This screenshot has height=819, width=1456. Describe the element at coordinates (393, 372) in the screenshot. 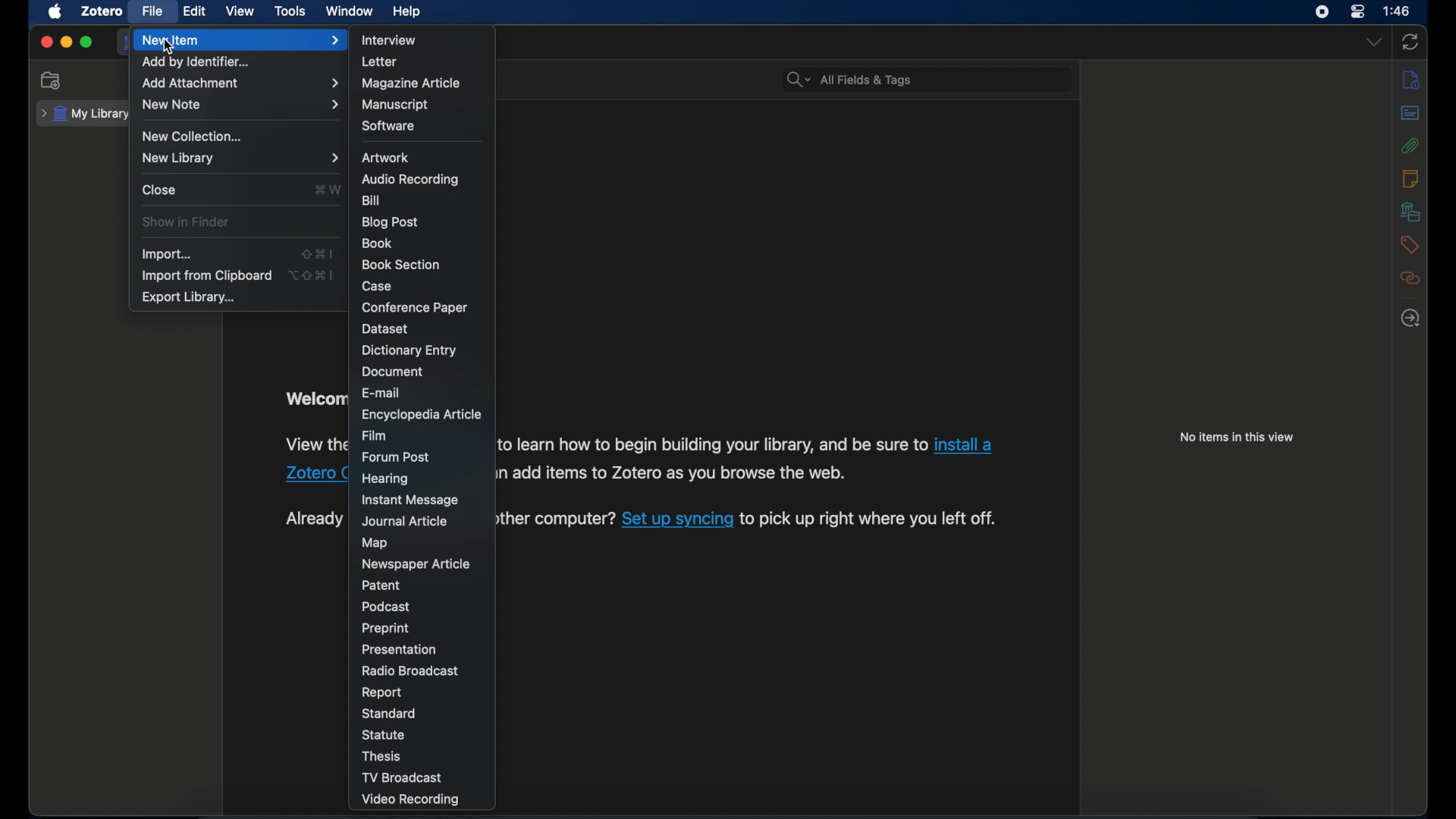

I see `document` at that location.